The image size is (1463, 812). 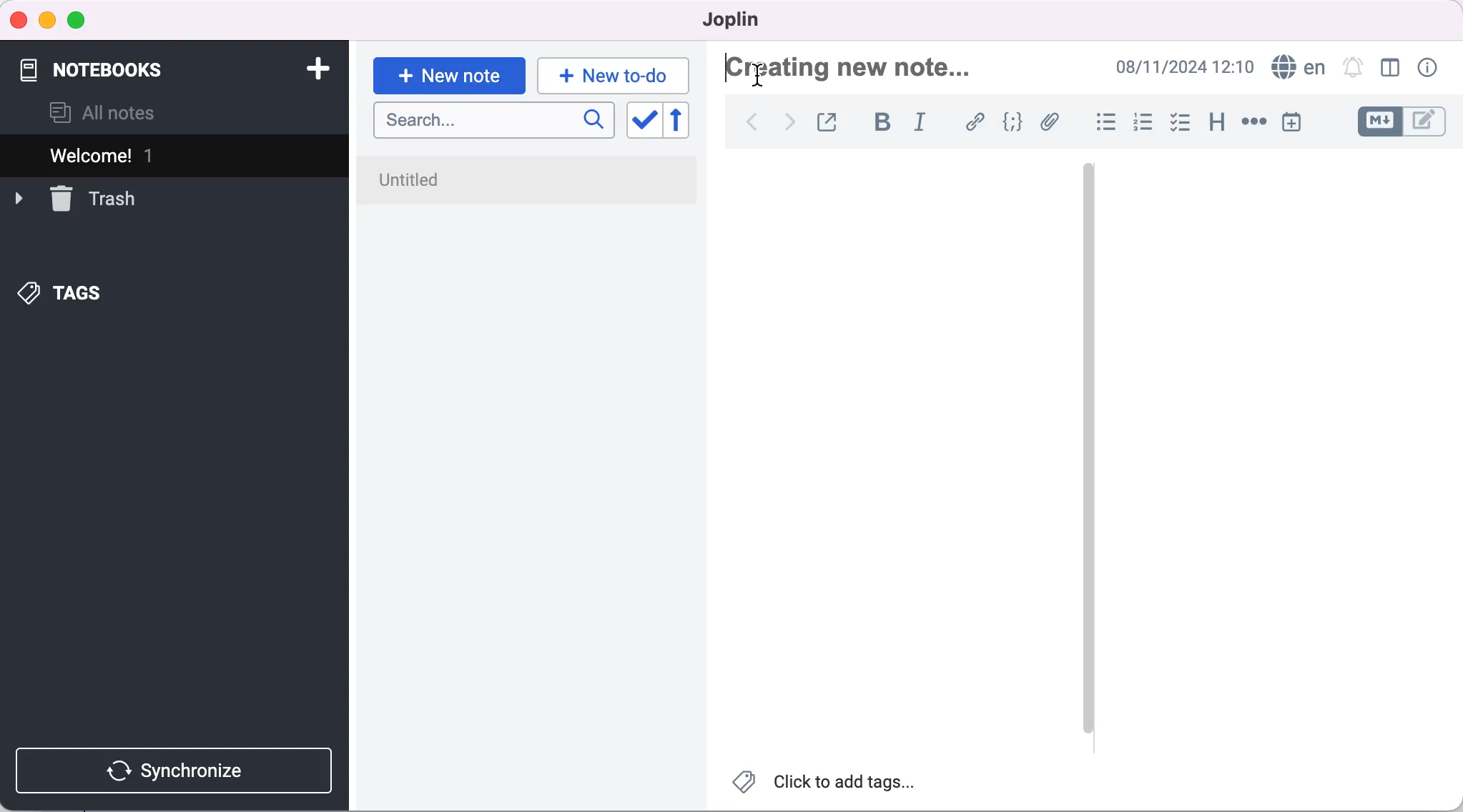 What do you see at coordinates (1142, 123) in the screenshot?
I see `numbered list` at bounding box center [1142, 123].